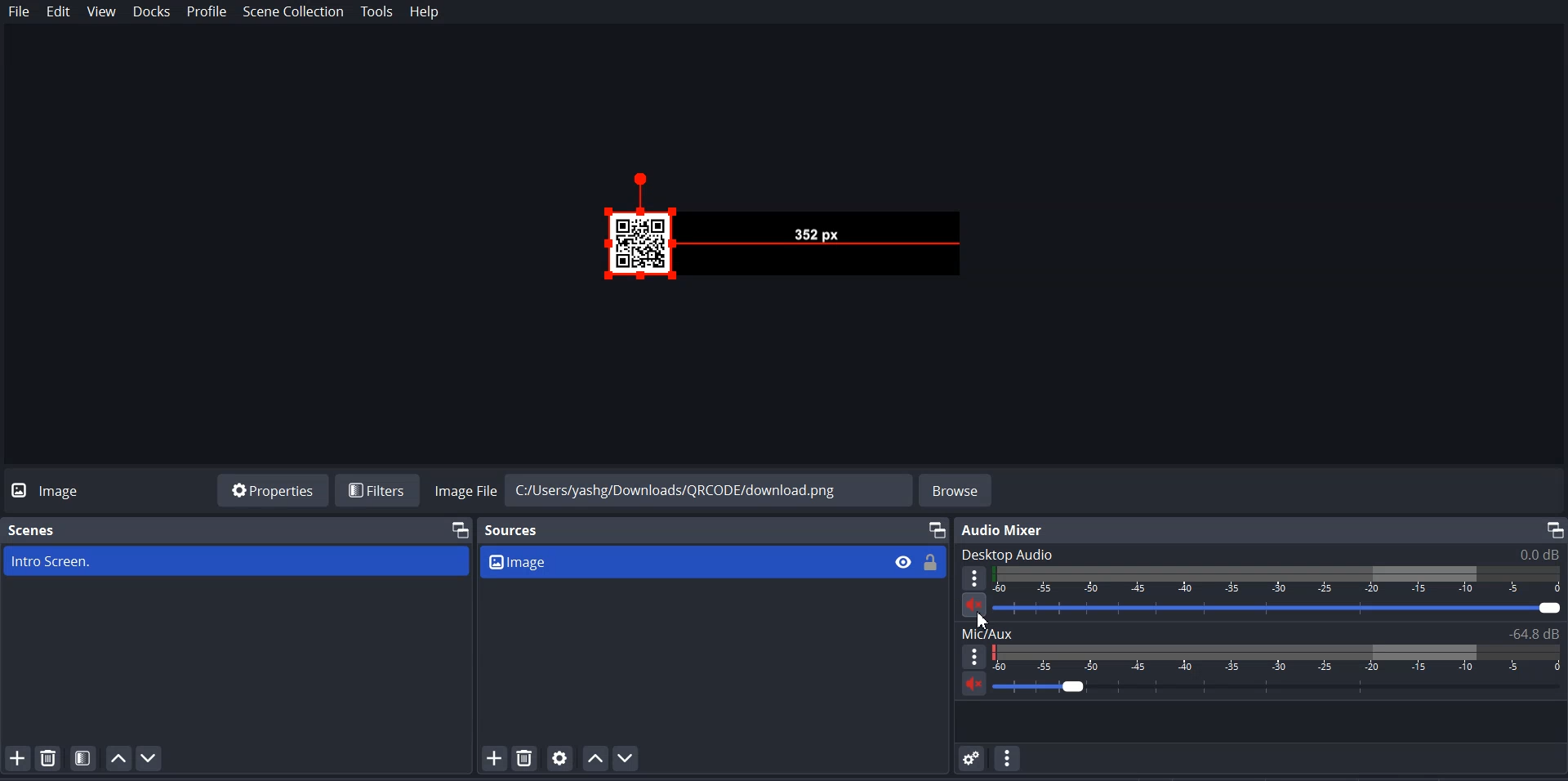 This screenshot has height=781, width=1568. I want to click on Eye, so click(902, 561).